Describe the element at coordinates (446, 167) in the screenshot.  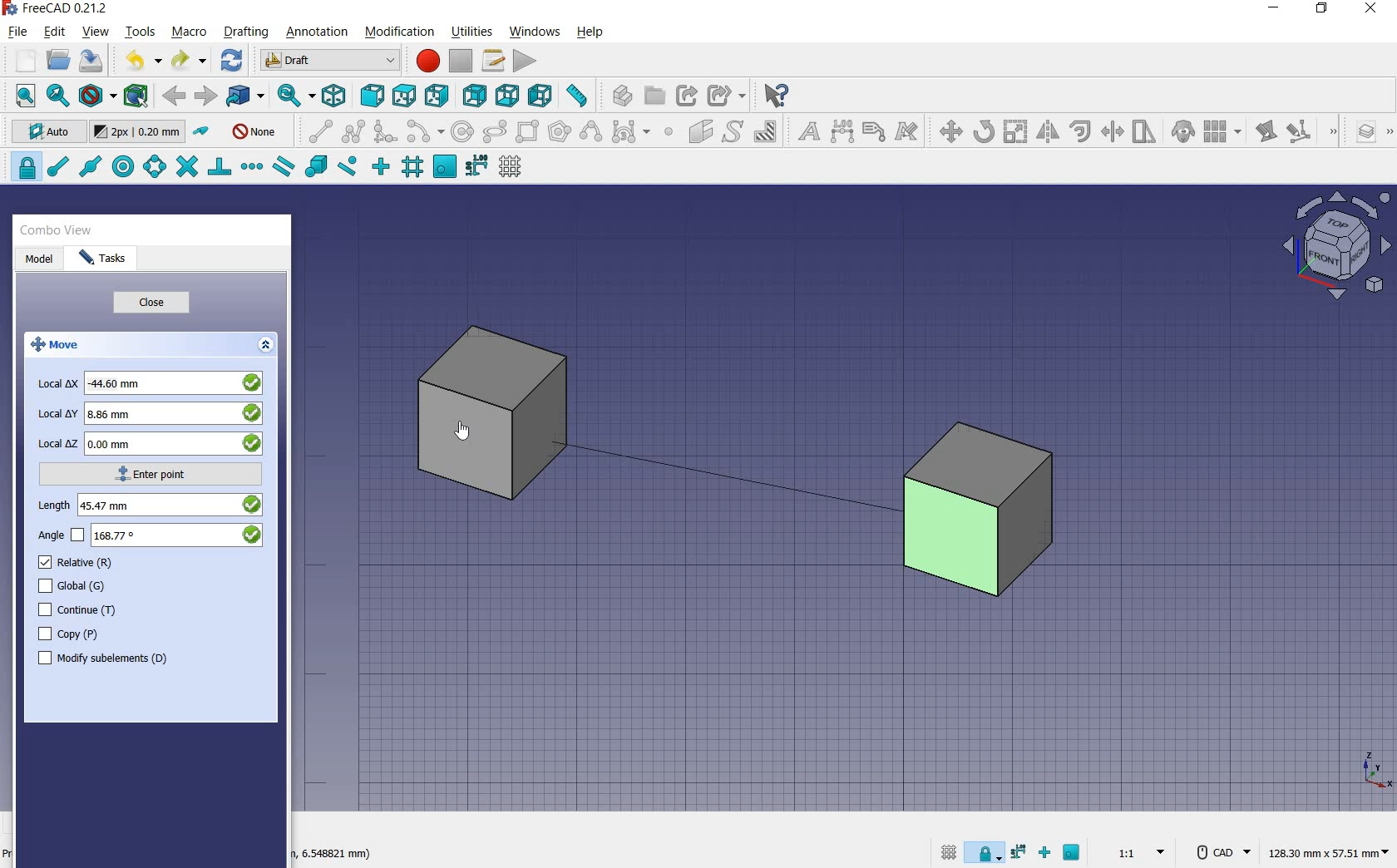
I see `snap working plane` at that location.